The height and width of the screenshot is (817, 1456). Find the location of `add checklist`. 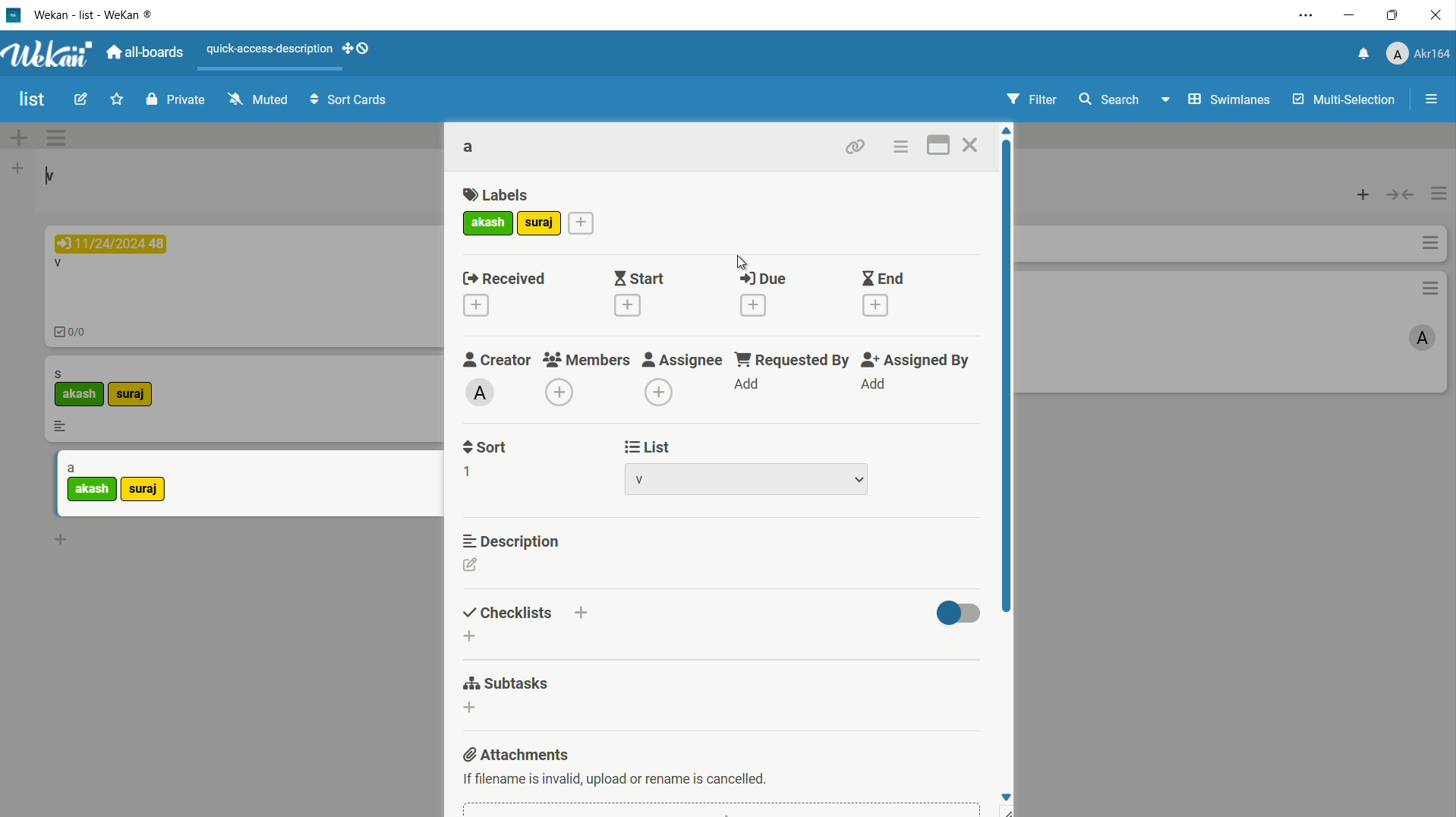

add checklist is located at coordinates (471, 635).